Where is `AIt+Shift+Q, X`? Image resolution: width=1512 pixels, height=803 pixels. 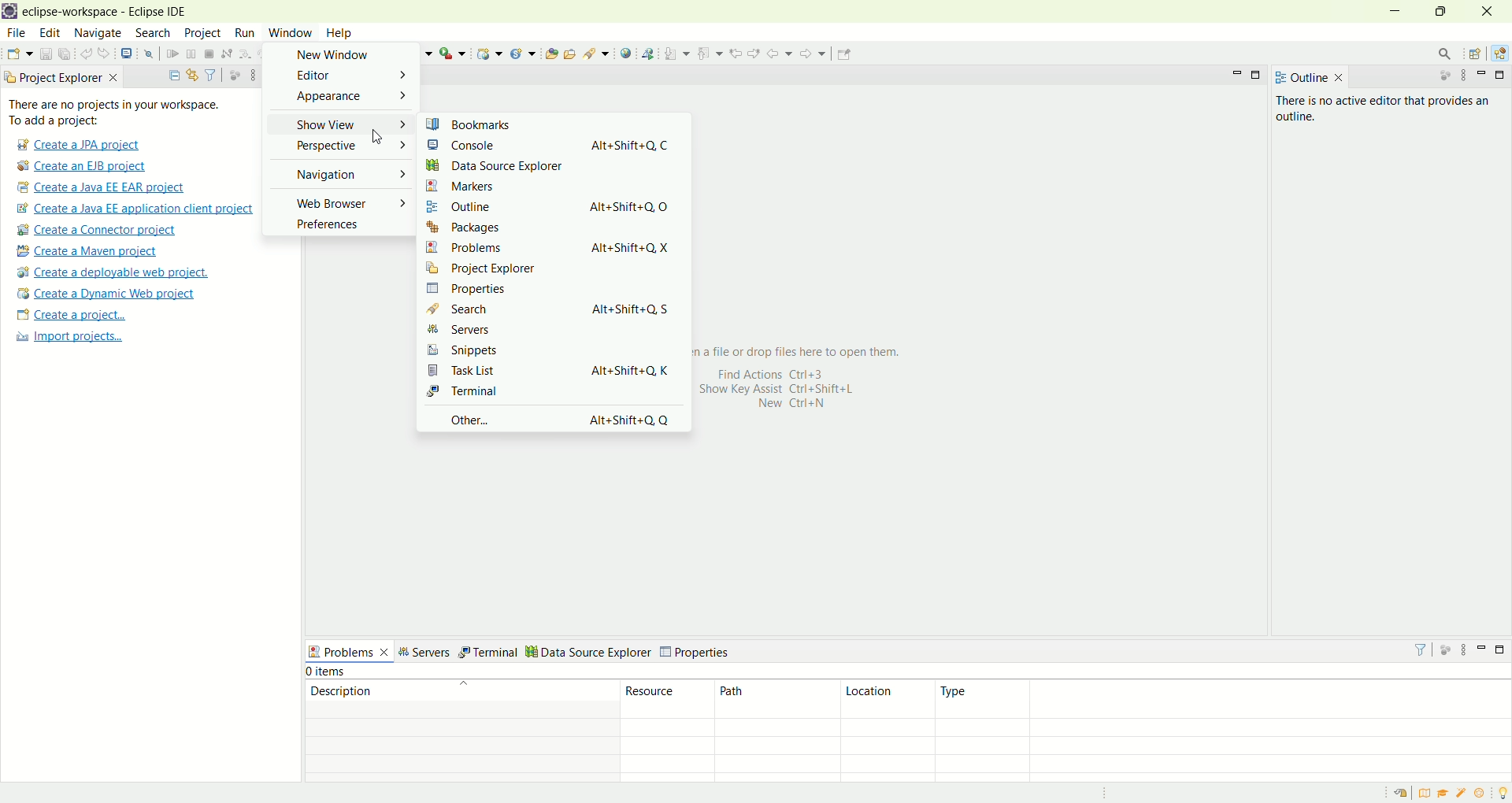
AIt+Shift+Q, X is located at coordinates (640, 244).